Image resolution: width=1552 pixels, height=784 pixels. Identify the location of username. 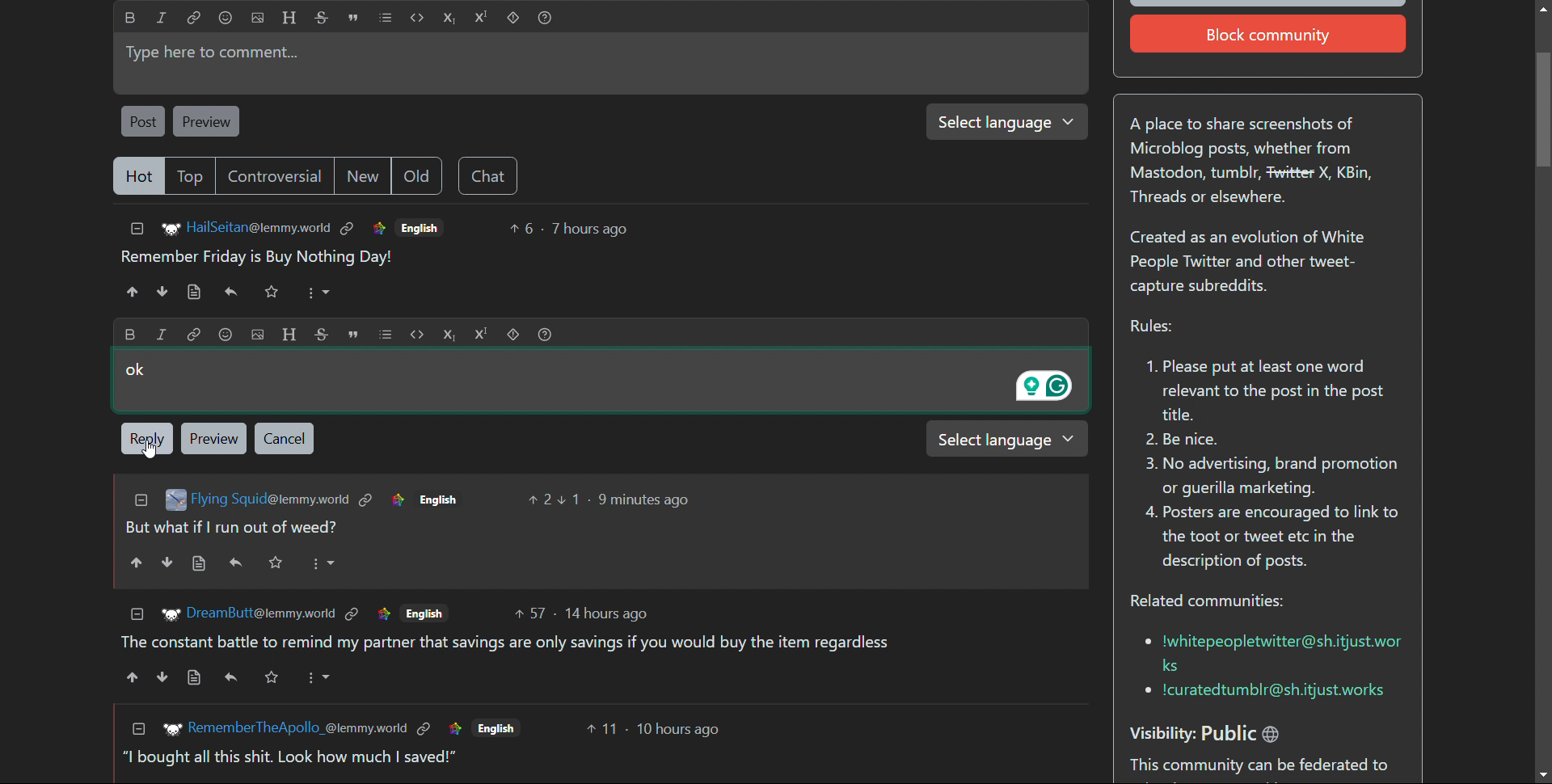
(259, 227).